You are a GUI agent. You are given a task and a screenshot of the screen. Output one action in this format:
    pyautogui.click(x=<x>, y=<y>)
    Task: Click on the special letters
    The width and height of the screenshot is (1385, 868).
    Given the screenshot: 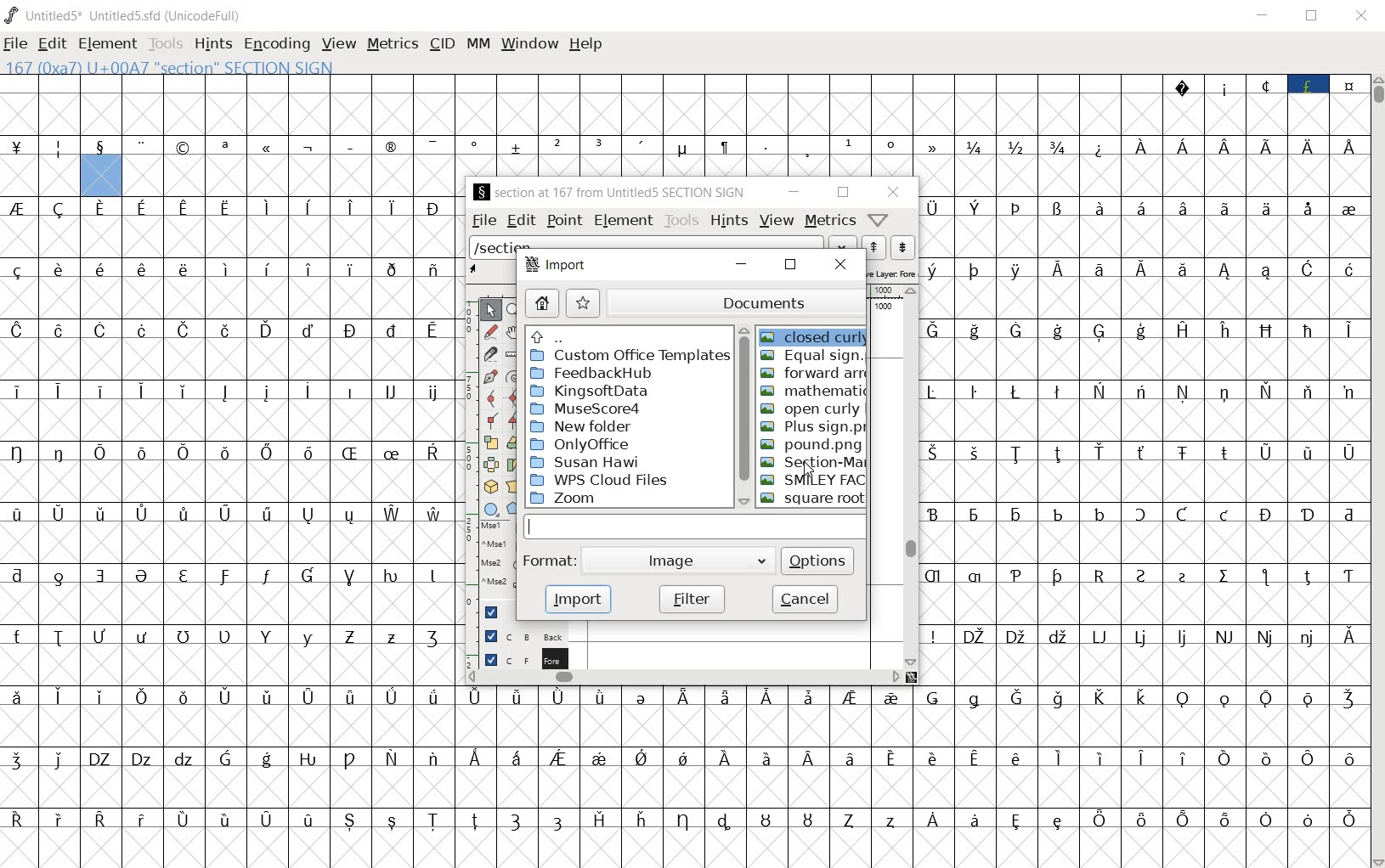 What is the action you would take?
    pyautogui.click(x=233, y=637)
    